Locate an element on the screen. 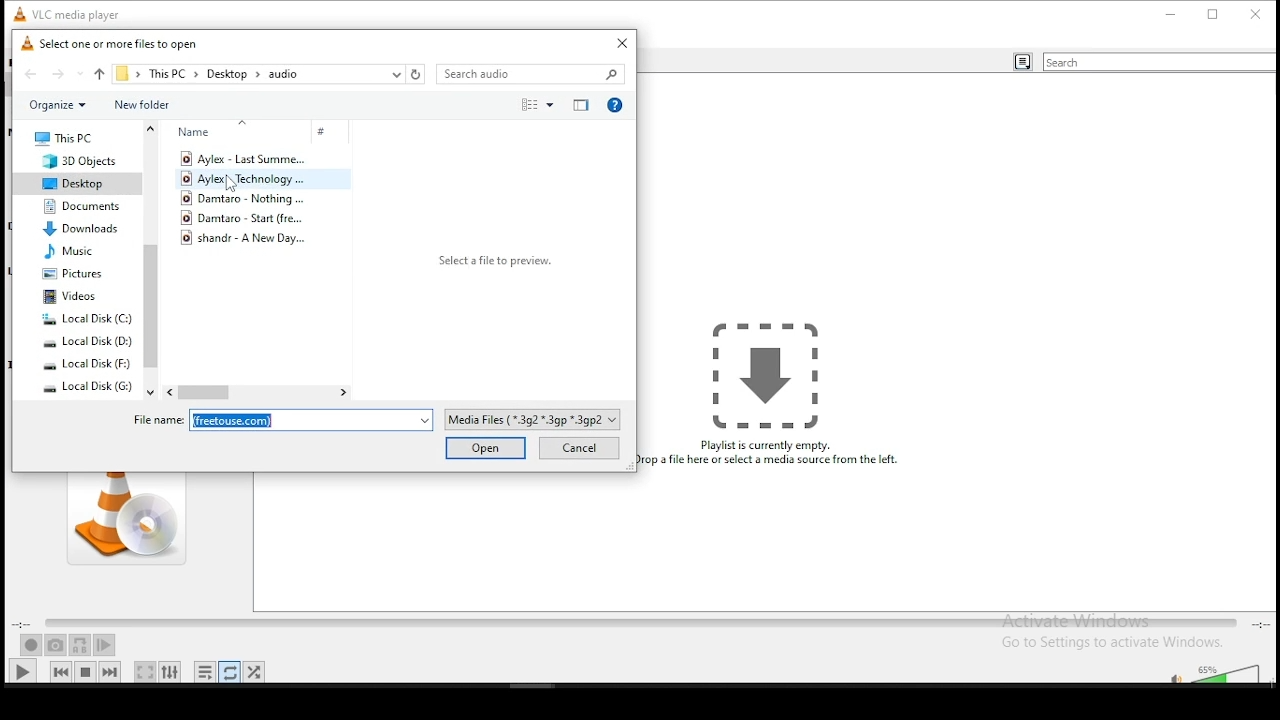  cursor is located at coordinates (232, 184).